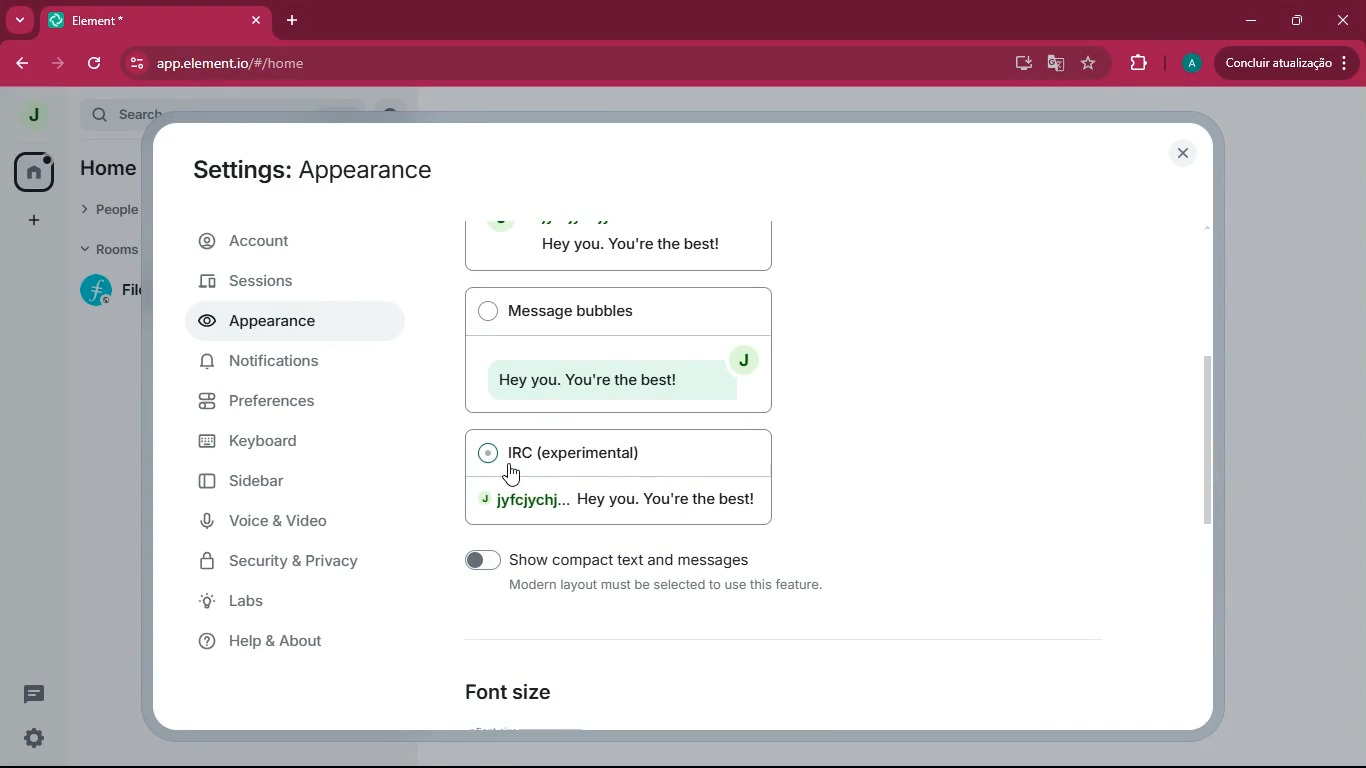 The image size is (1366, 768). Describe the element at coordinates (32, 694) in the screenshot. I see `message` at that location.